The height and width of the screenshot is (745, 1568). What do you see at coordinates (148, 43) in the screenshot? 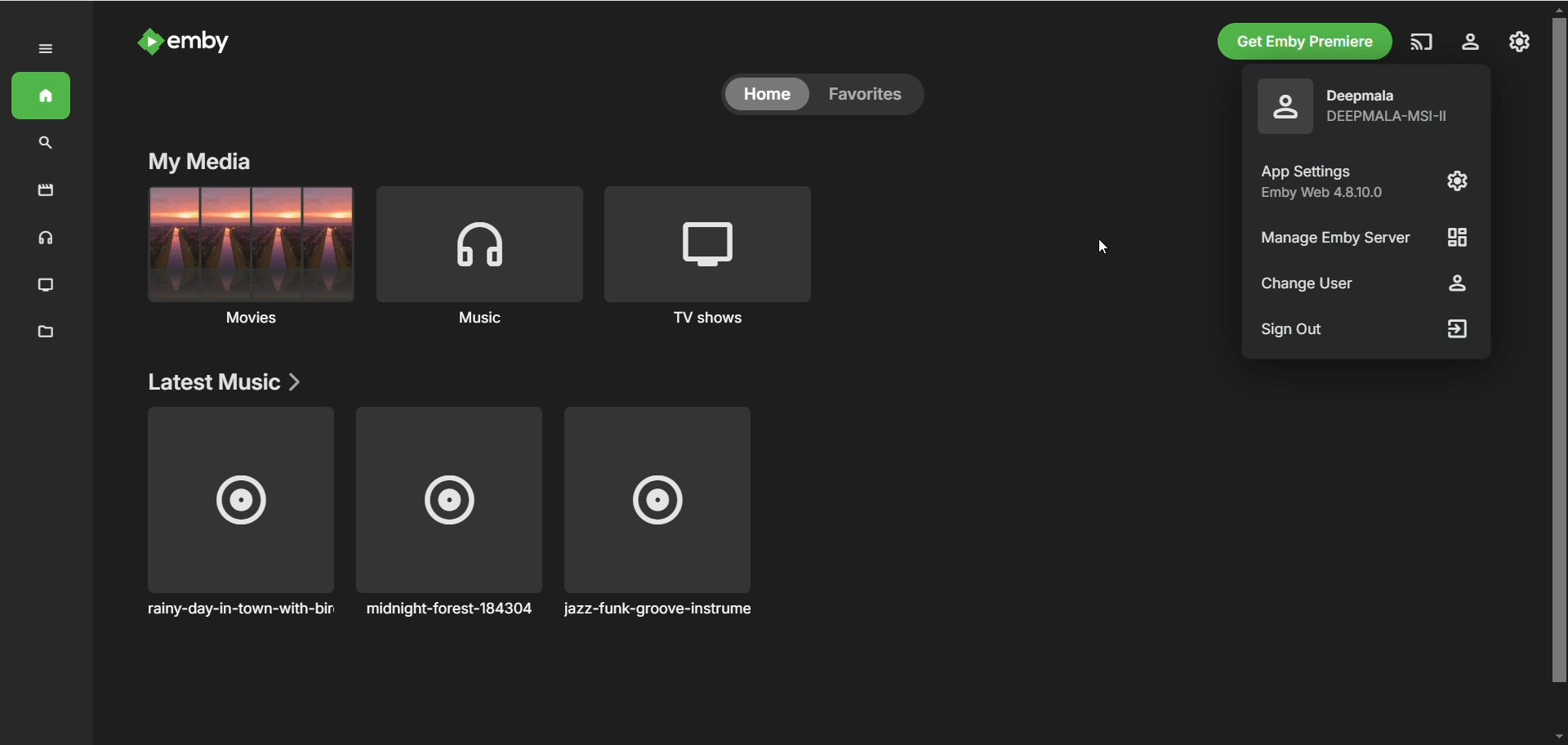
I see `emby logo` at bounding box center [148, 43].